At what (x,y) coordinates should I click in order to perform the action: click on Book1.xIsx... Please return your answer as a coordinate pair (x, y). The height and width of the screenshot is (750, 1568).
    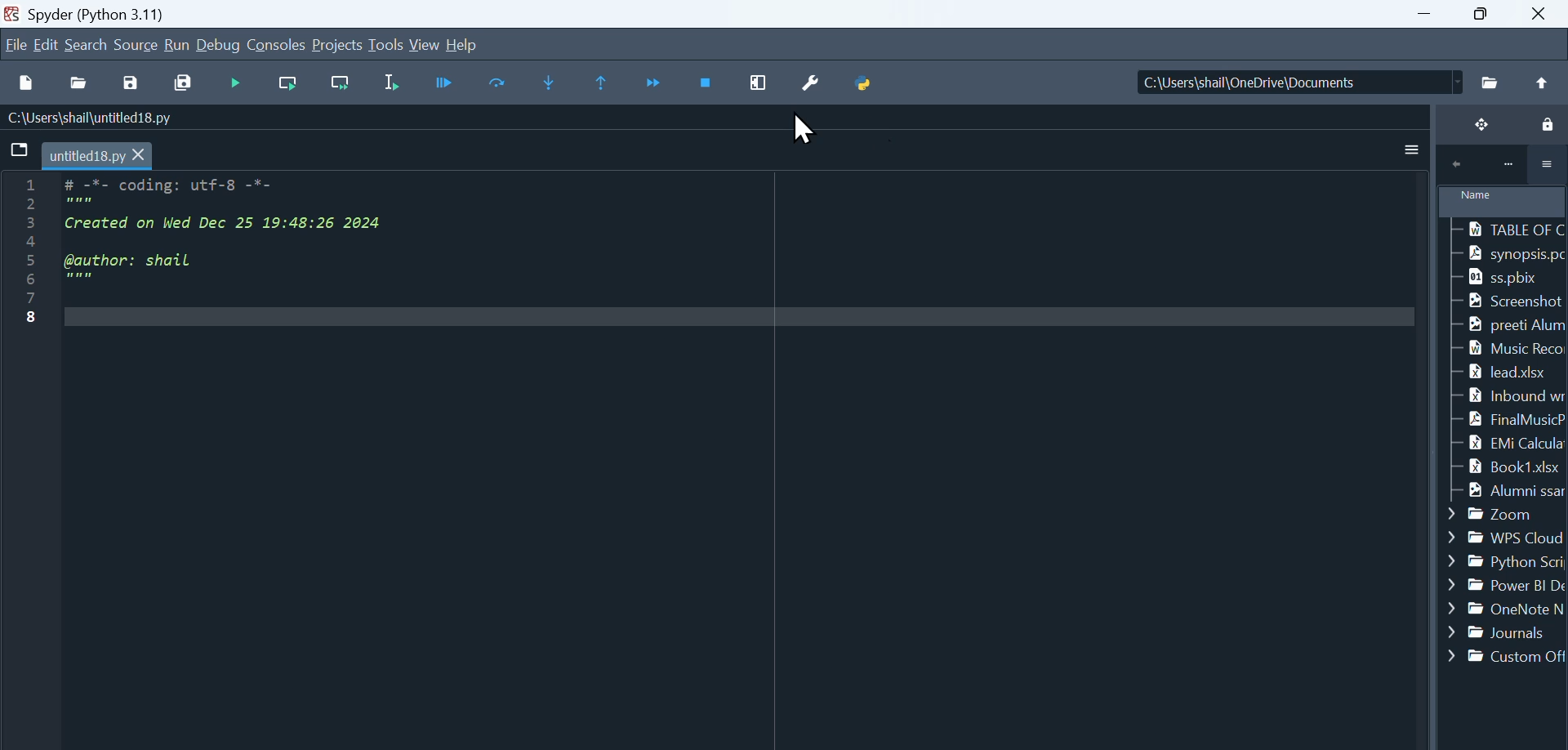
    Looking at the image, I should click on (1509, 467).